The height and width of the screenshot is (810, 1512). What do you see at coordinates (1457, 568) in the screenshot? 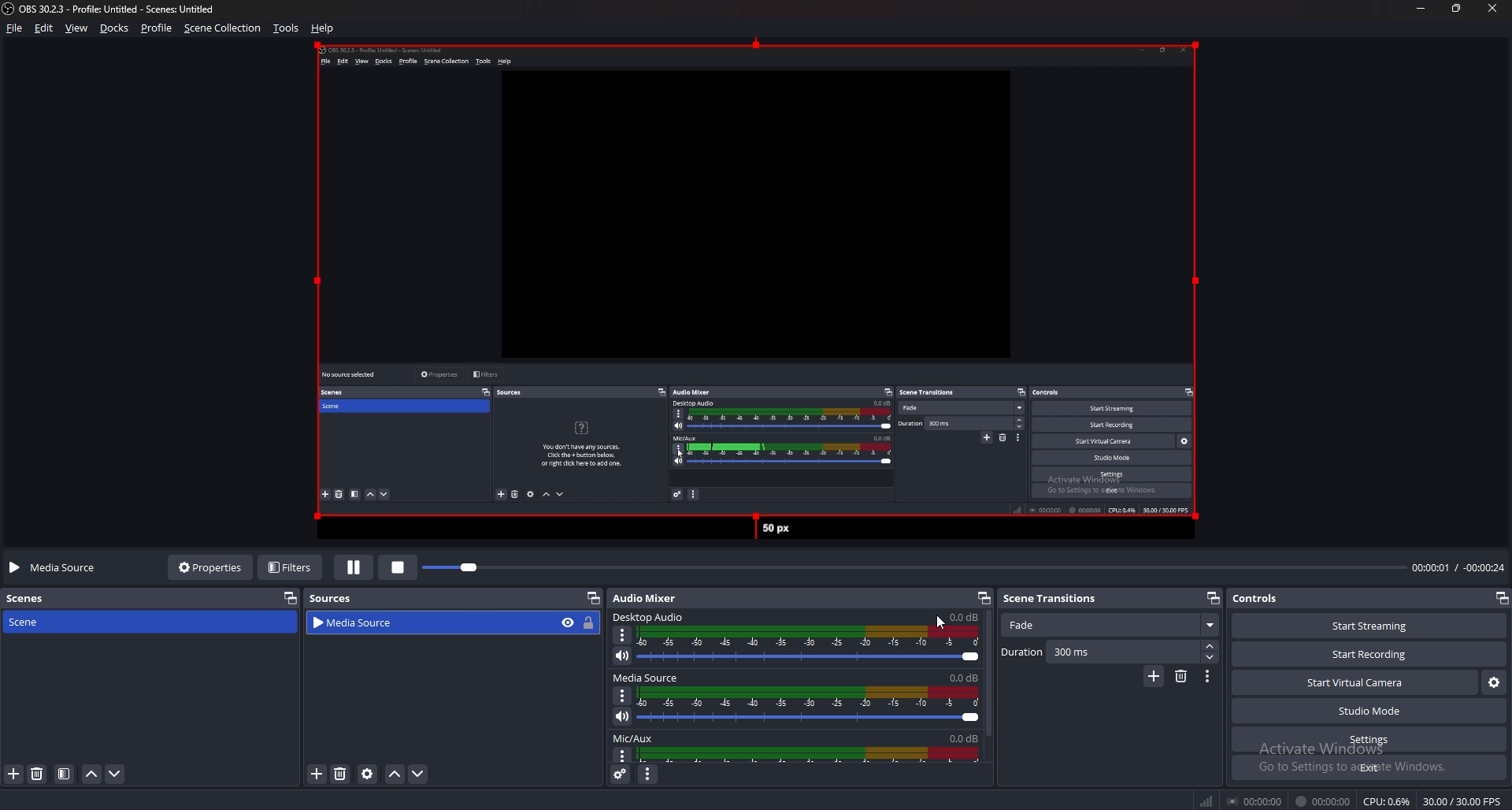
I see `00:00:01 / 00:00:24` at bounding box center [1457, 568].